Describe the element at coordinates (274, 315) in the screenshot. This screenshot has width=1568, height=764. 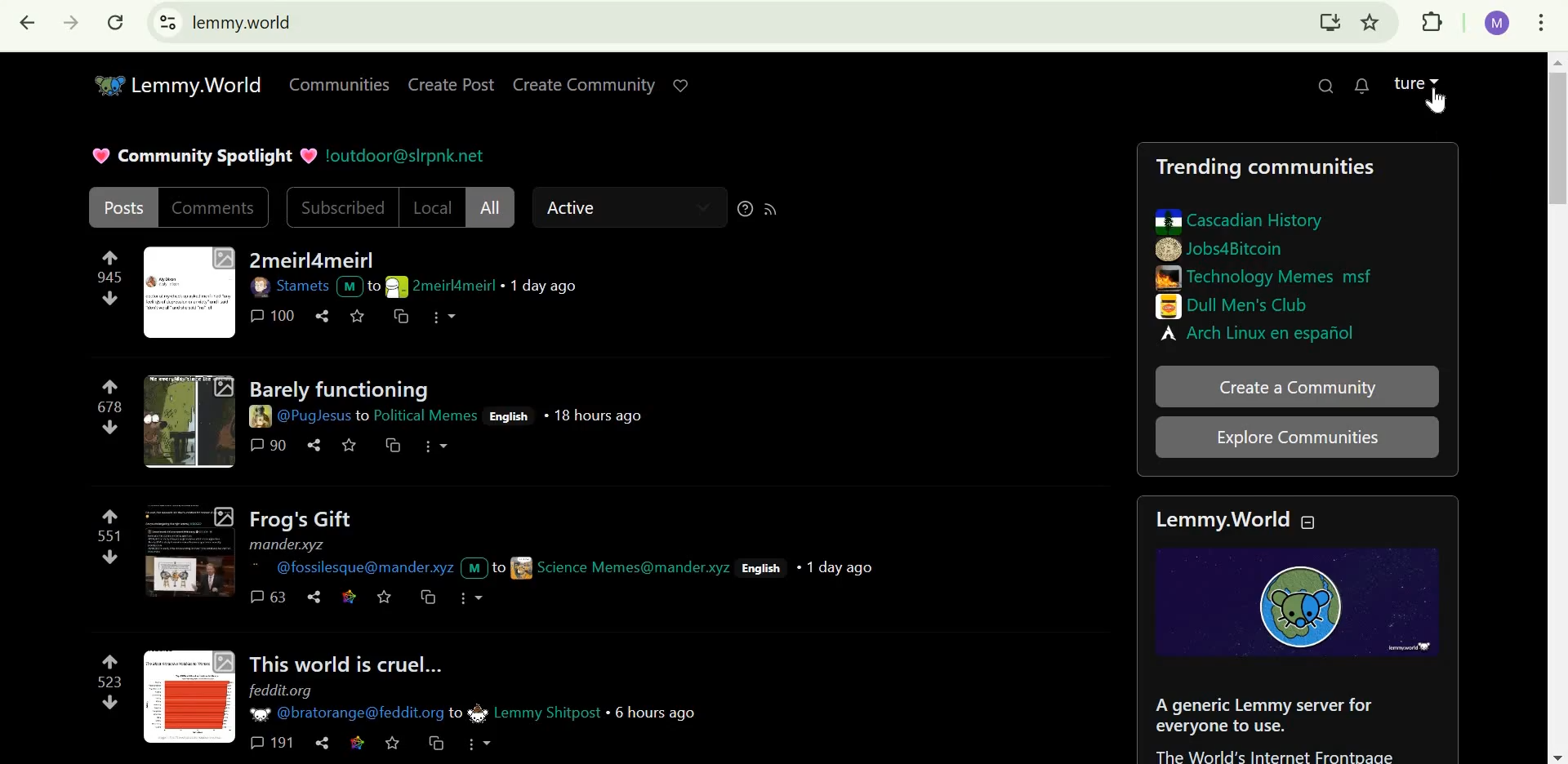
I see `100 comments` at that location.